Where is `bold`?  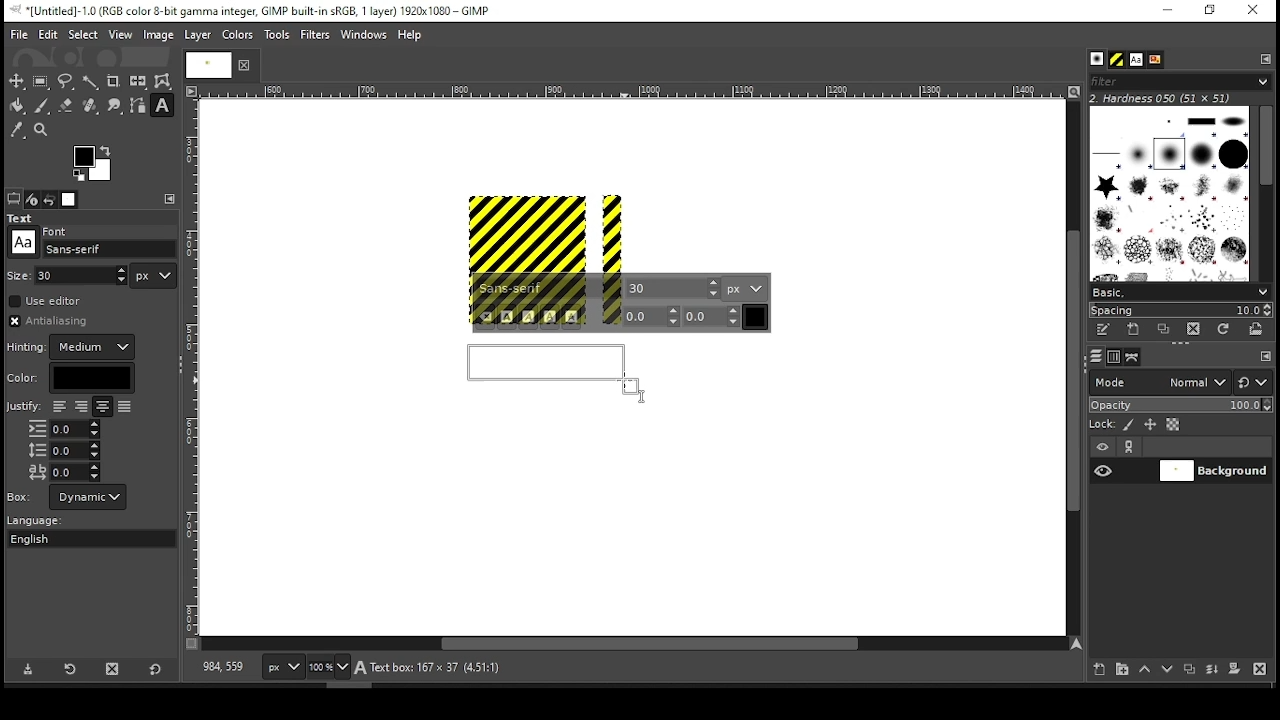
bold is located at coordinates (507, 317).